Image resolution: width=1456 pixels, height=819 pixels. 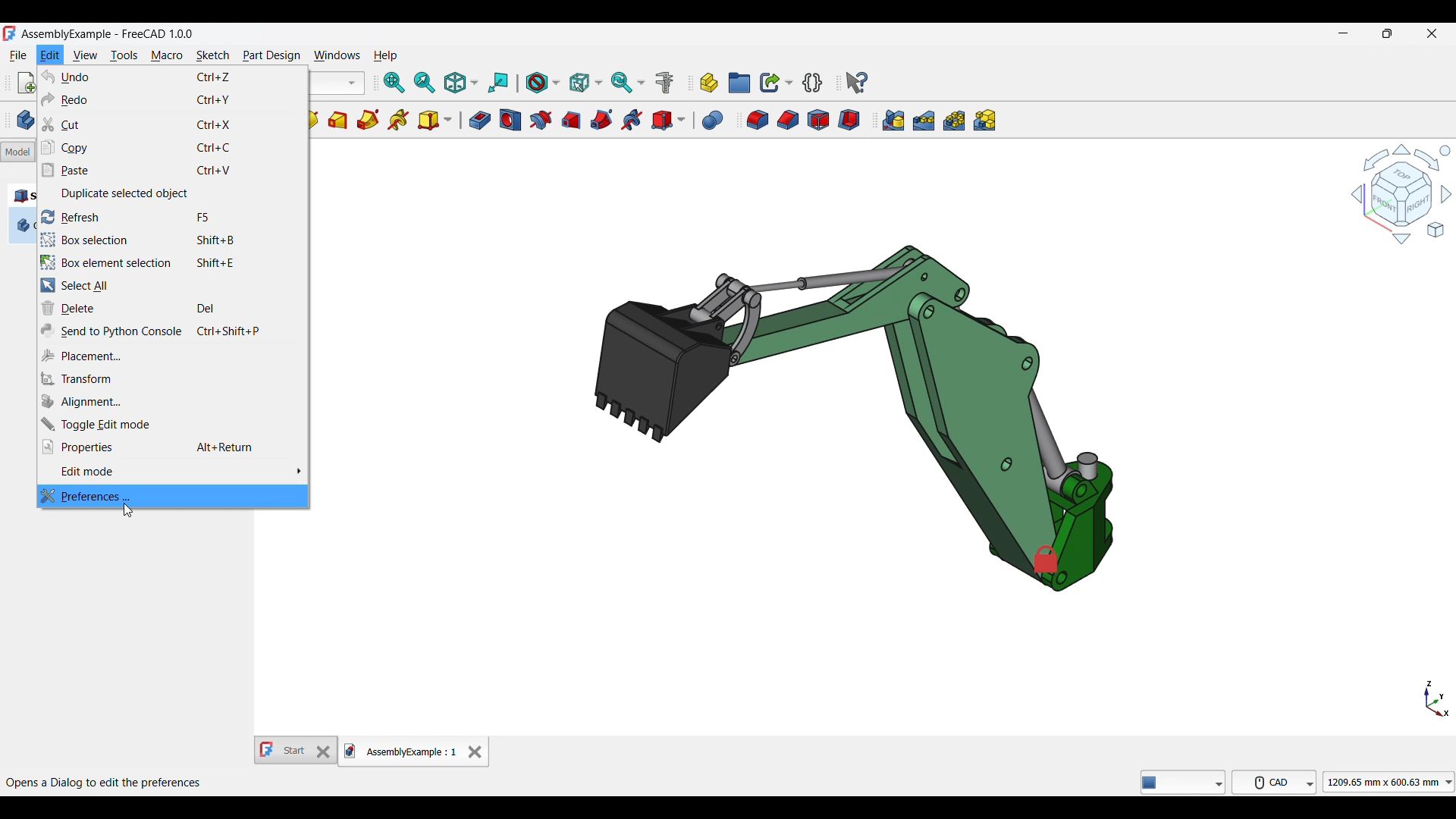 What do you see at coordinates (10, 33) in the screenshot?
I see `Software logo` at bounding box center [10, 33].